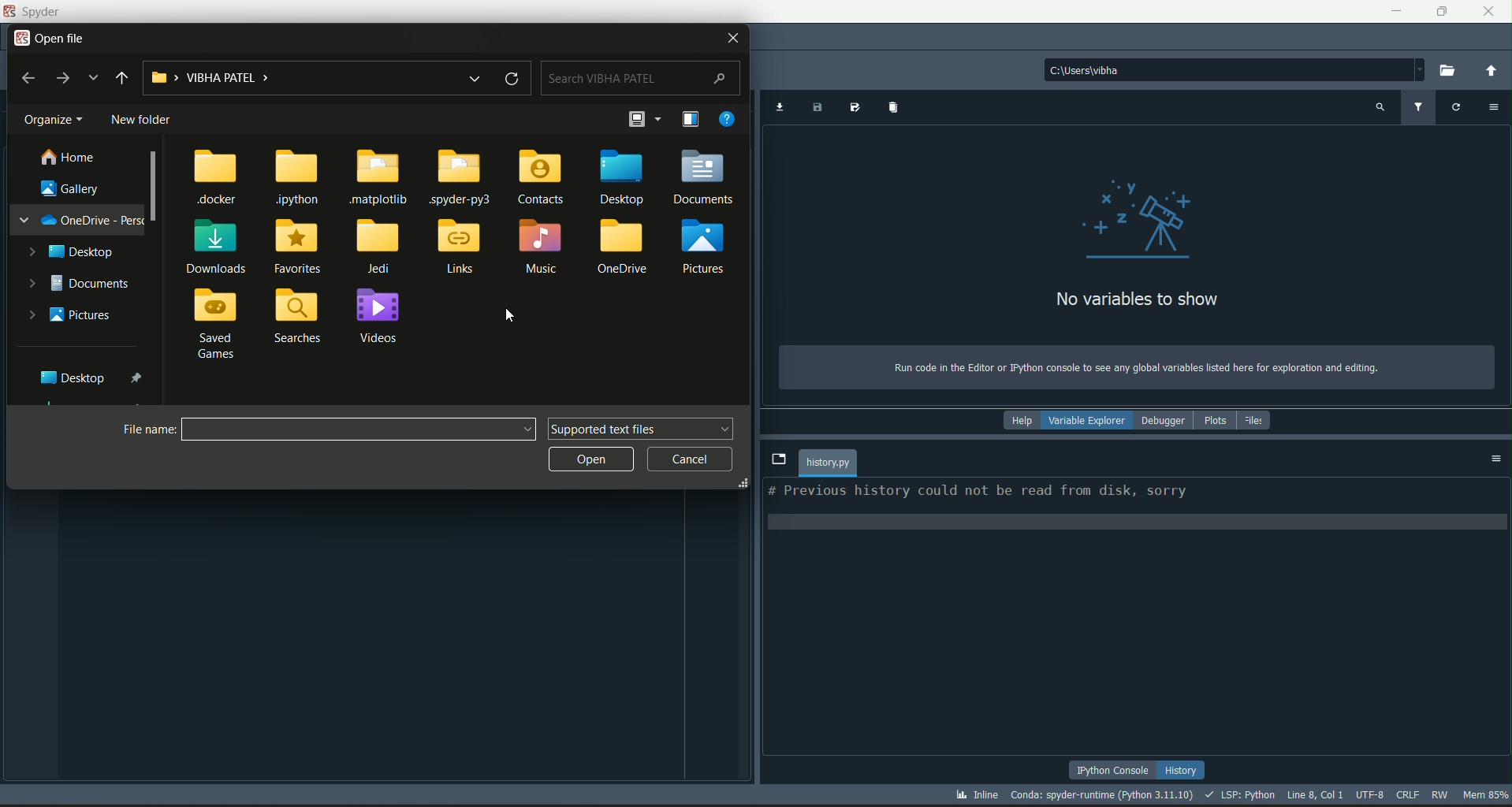 This screenshot has height=807, width=1512. I want to click on get help, so click(730, 118).